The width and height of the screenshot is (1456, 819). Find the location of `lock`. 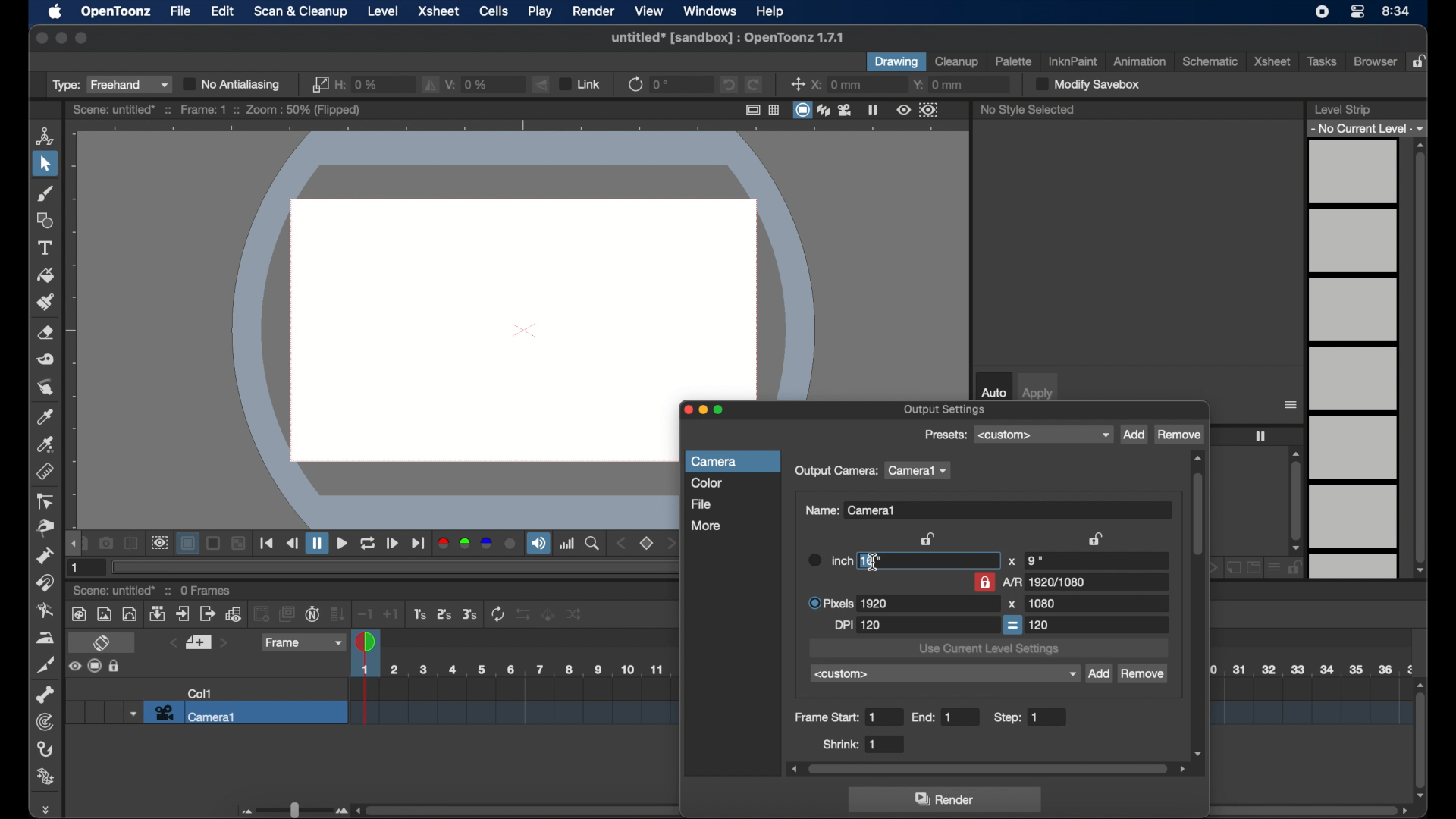

lock is located at coordinates (930, 538).